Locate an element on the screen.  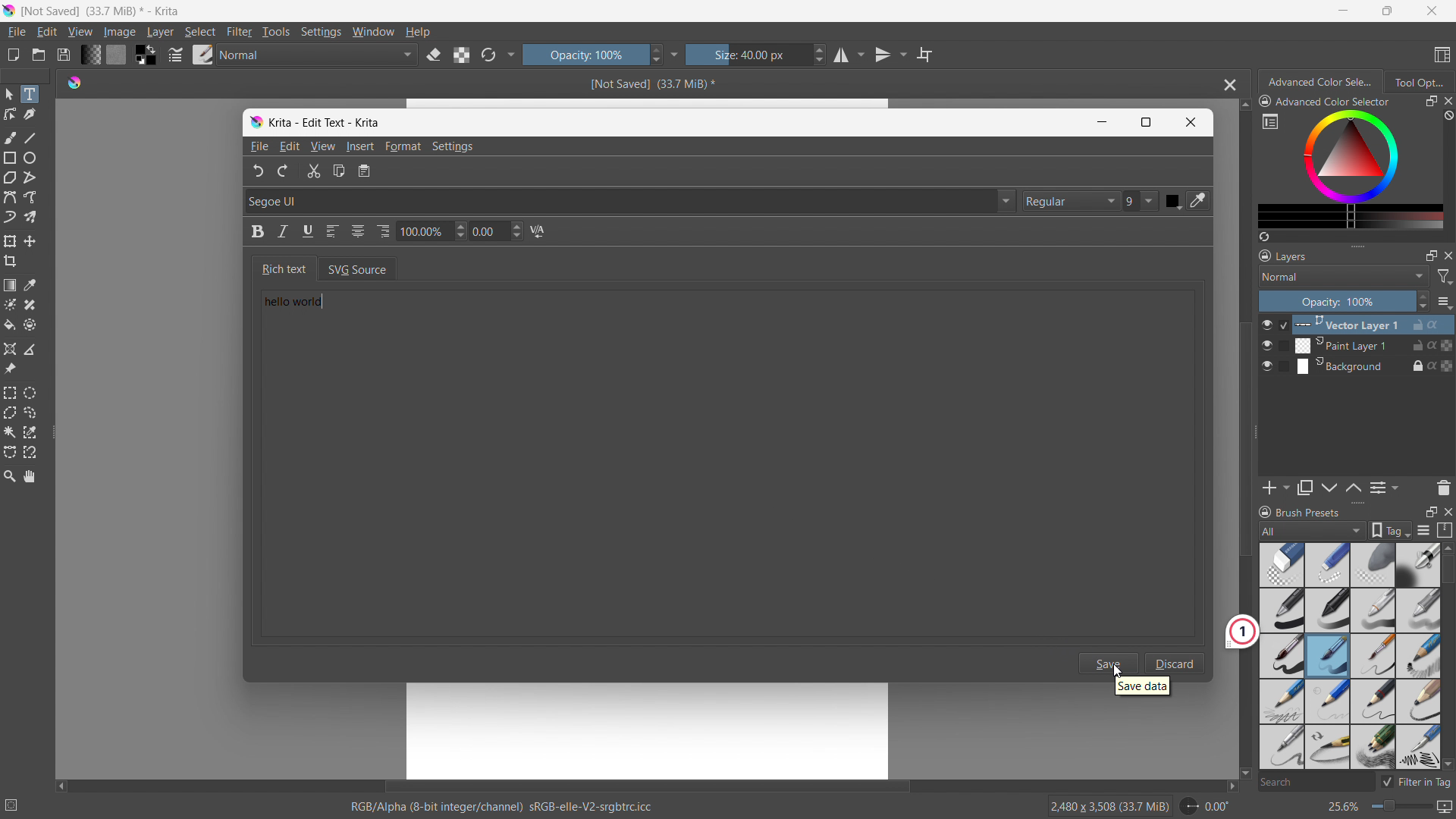
pencil is located at coordinates (1279, 747).